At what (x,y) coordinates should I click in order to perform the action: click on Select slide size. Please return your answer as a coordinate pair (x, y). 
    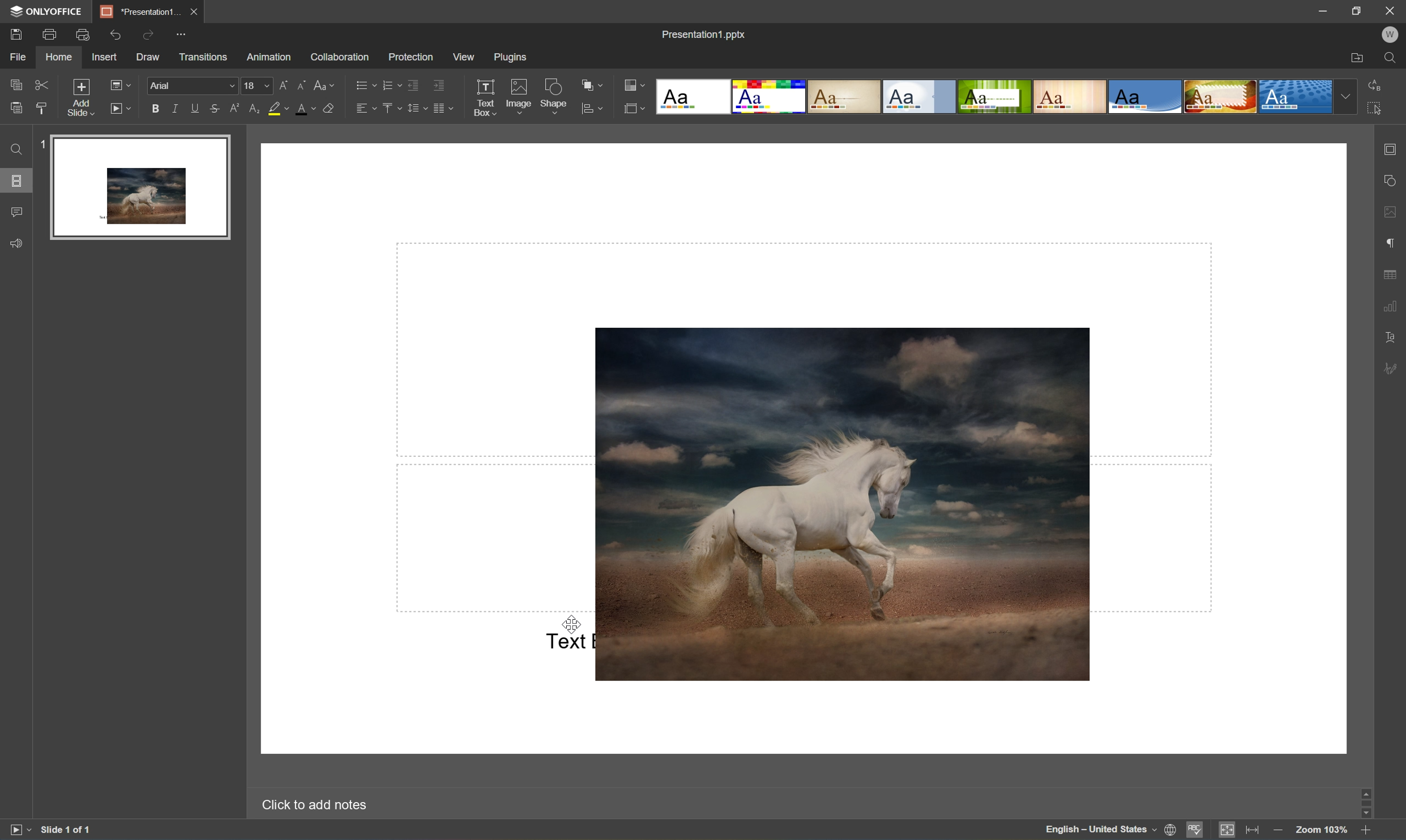
    Looking at the image, I should click on (635, 109).